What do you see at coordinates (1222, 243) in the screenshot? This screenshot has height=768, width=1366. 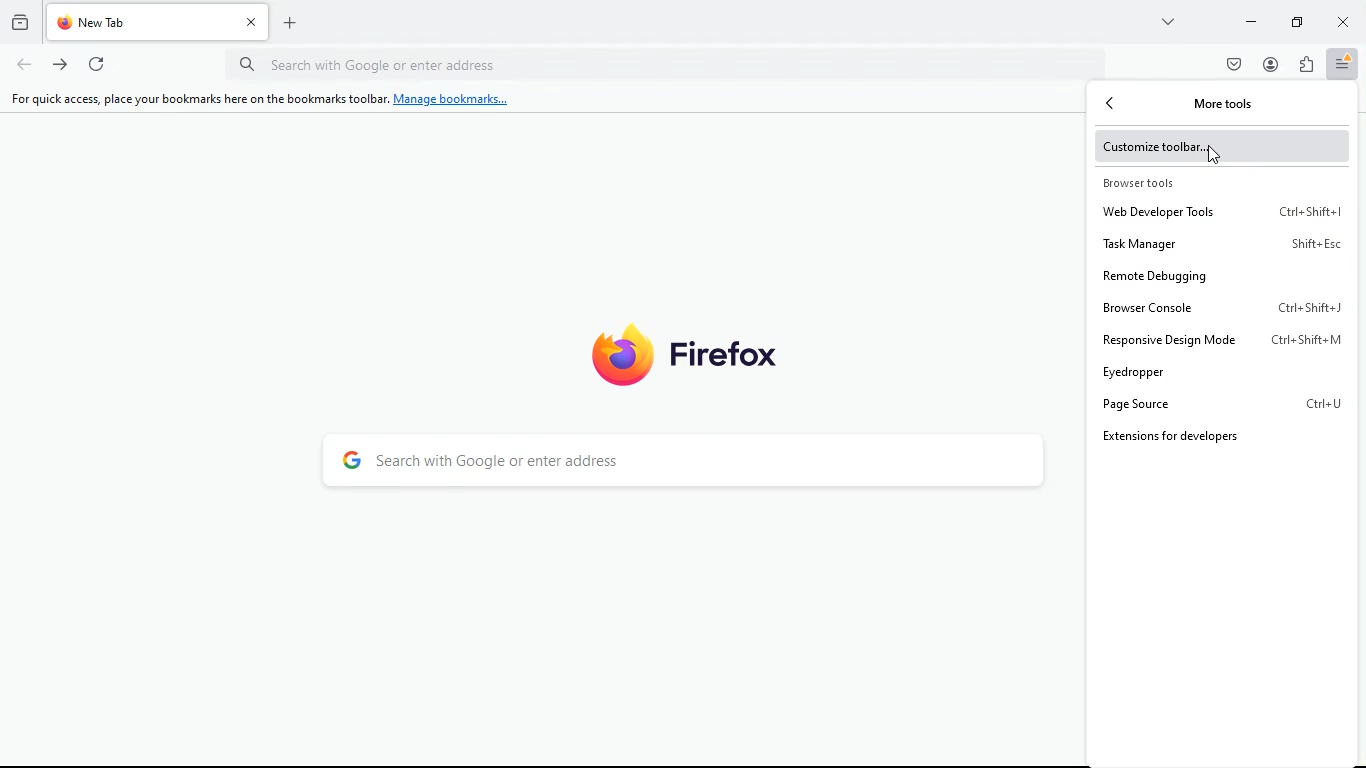 I see `task manager` at bounding box center [1222, 243].